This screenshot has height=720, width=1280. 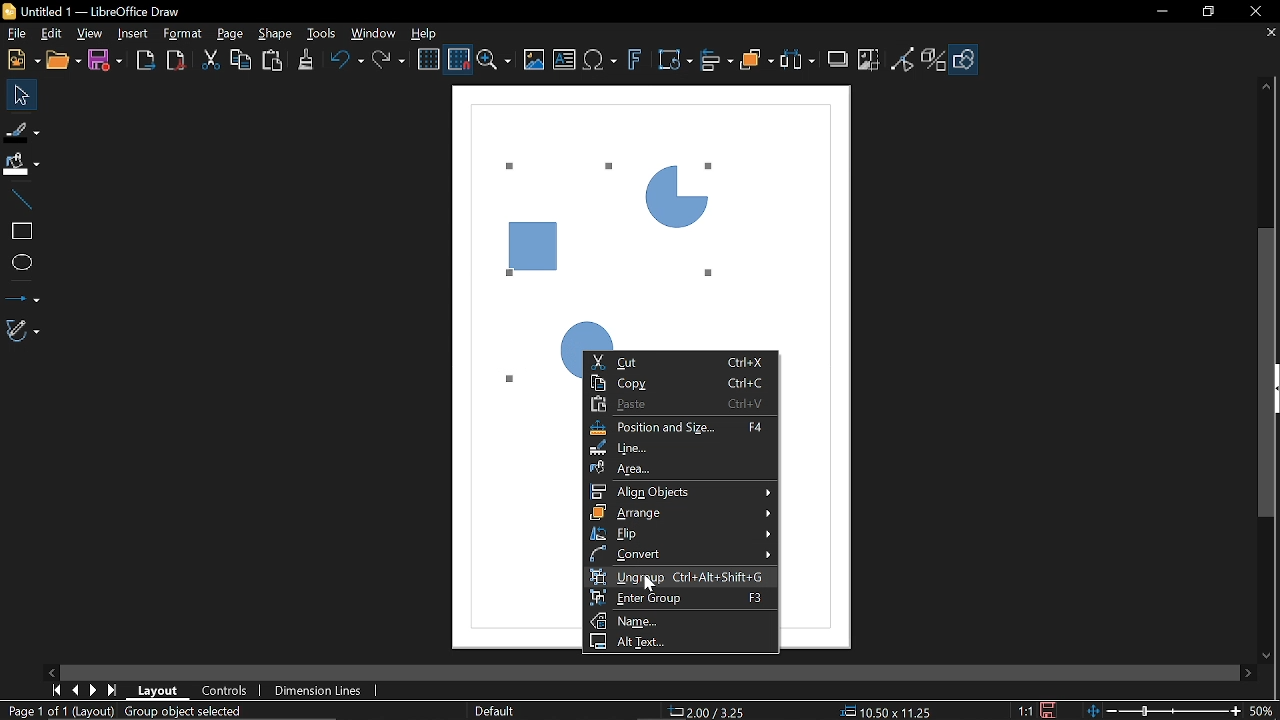 What do you see at coordinates (966, 60) in the screenshot?
I see `Show draw functions` at bounding box center [966, 60].